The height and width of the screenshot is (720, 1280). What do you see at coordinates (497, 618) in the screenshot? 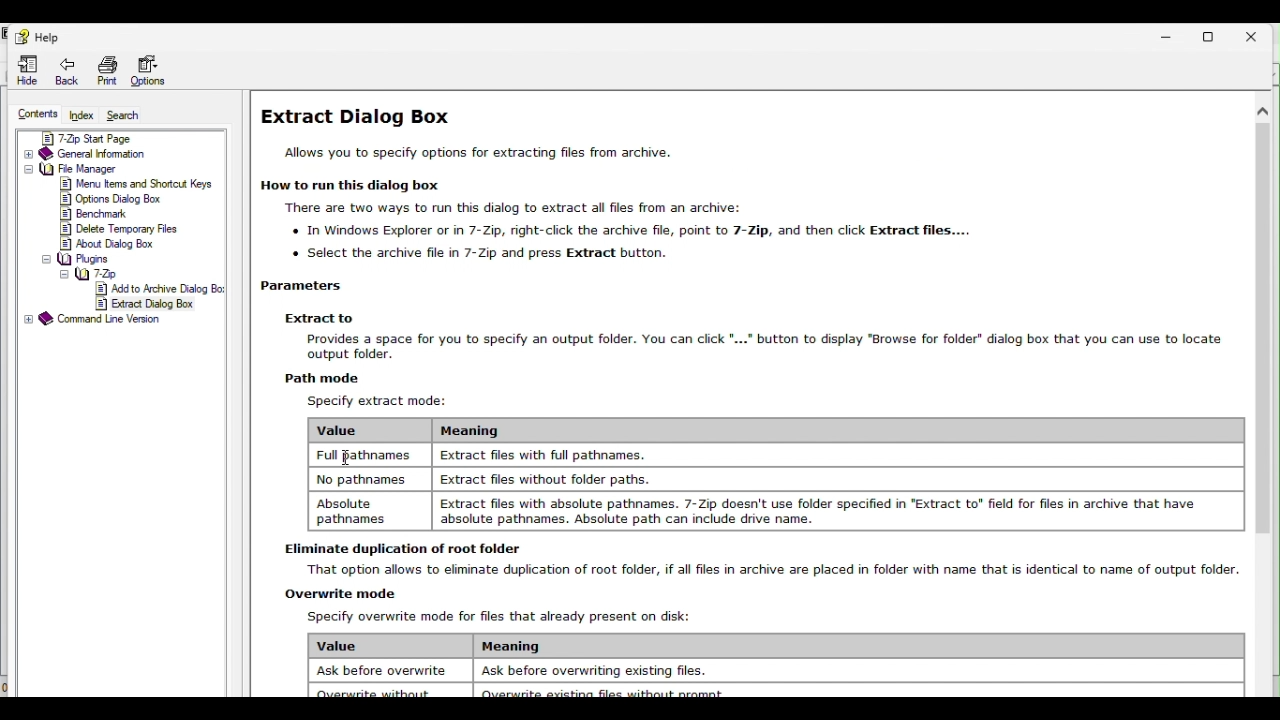
I see `specify` at bounding box center [497, 618].